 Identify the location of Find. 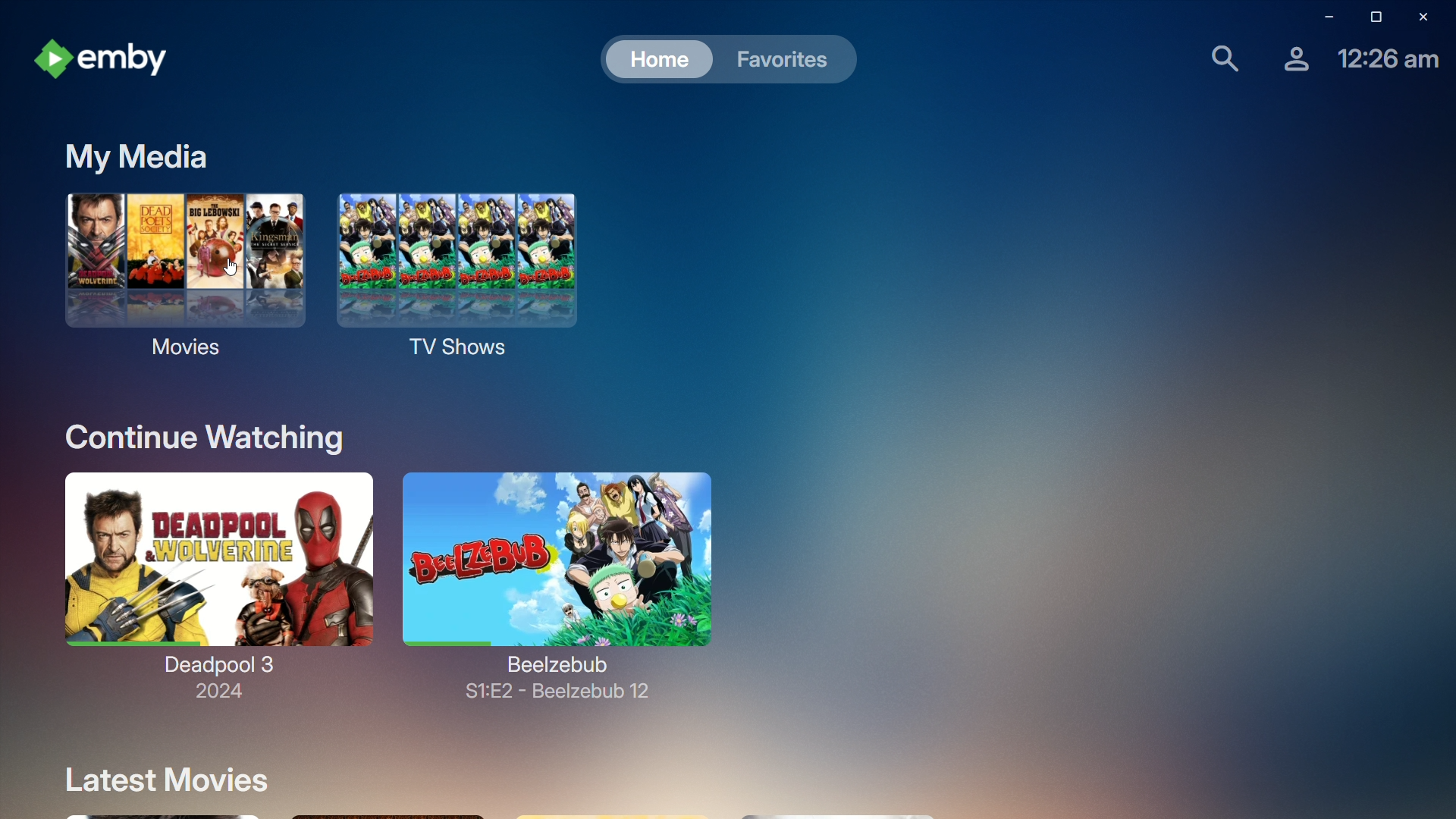
(1216, 61).